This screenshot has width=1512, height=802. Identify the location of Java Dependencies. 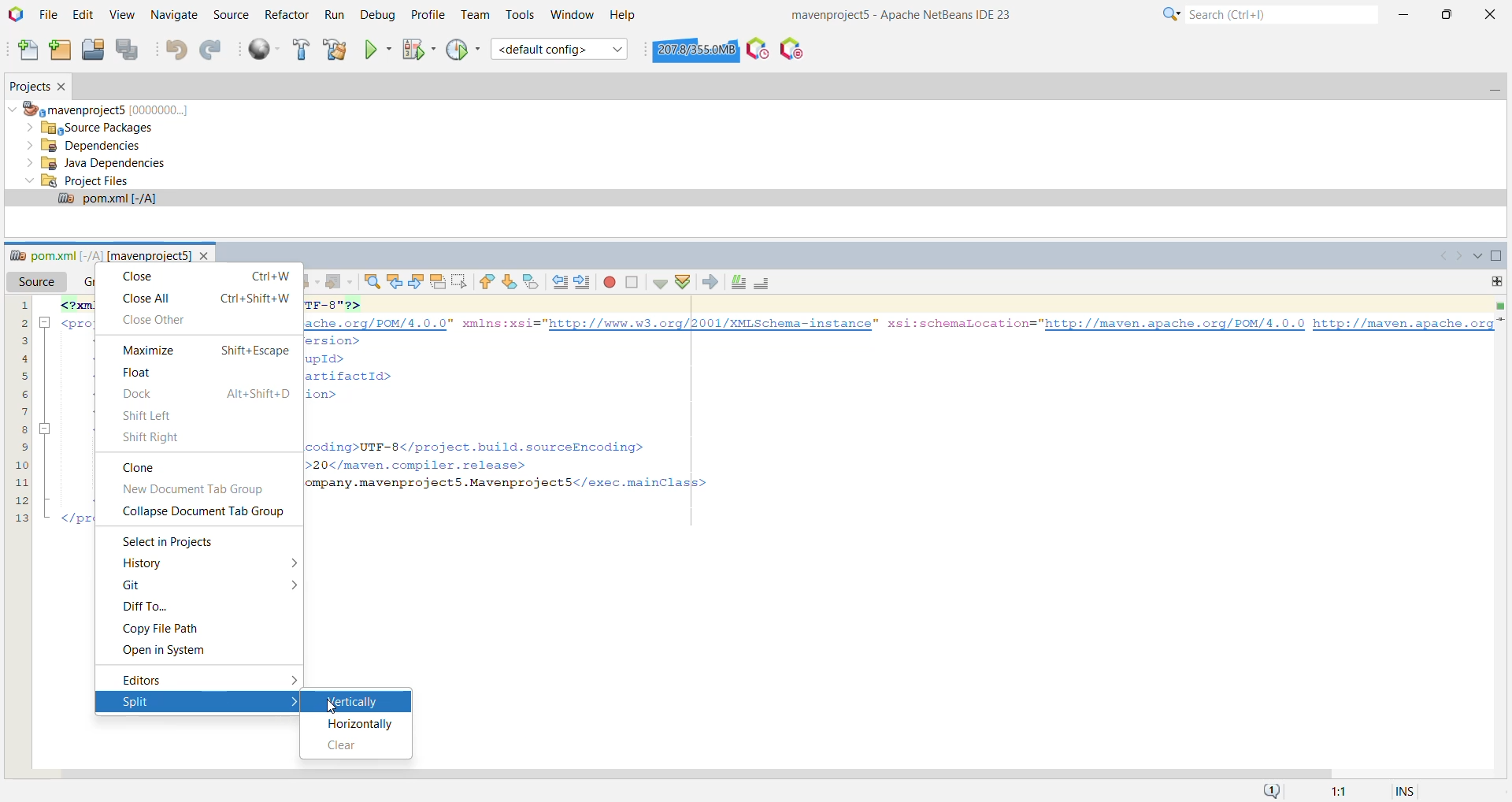
(96, 164).